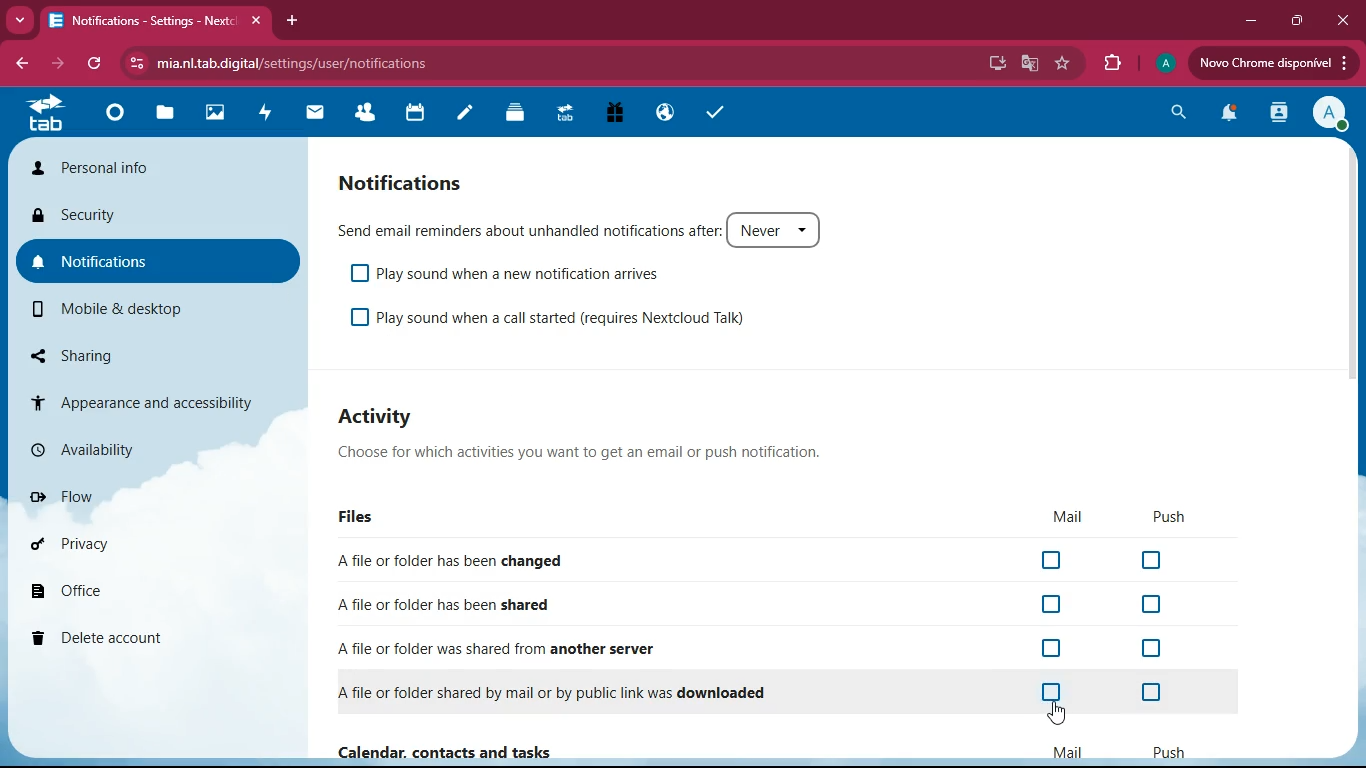  I want to click on off, so click(1053, 561).